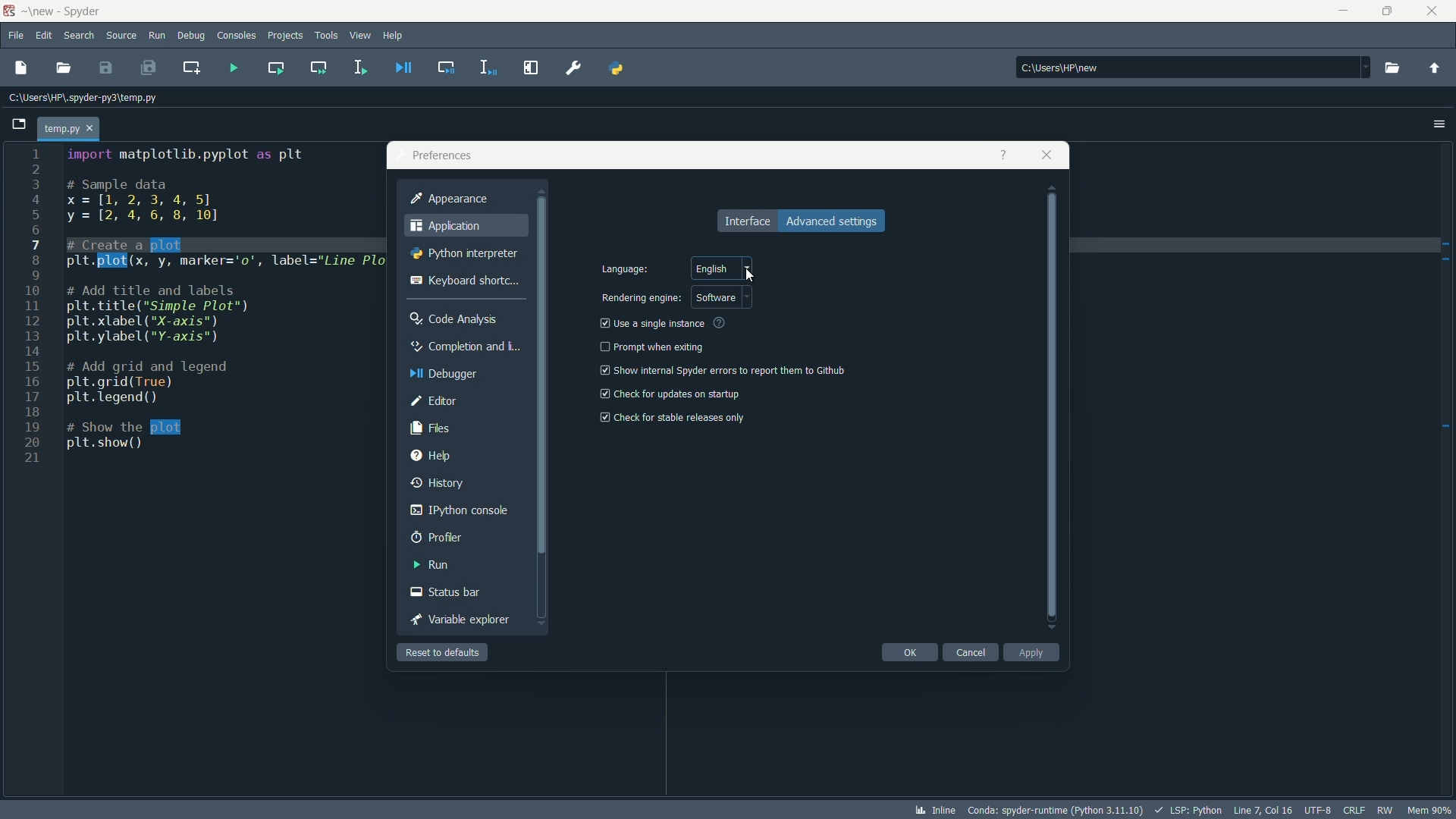  I want to click on language, so click(624, 270).